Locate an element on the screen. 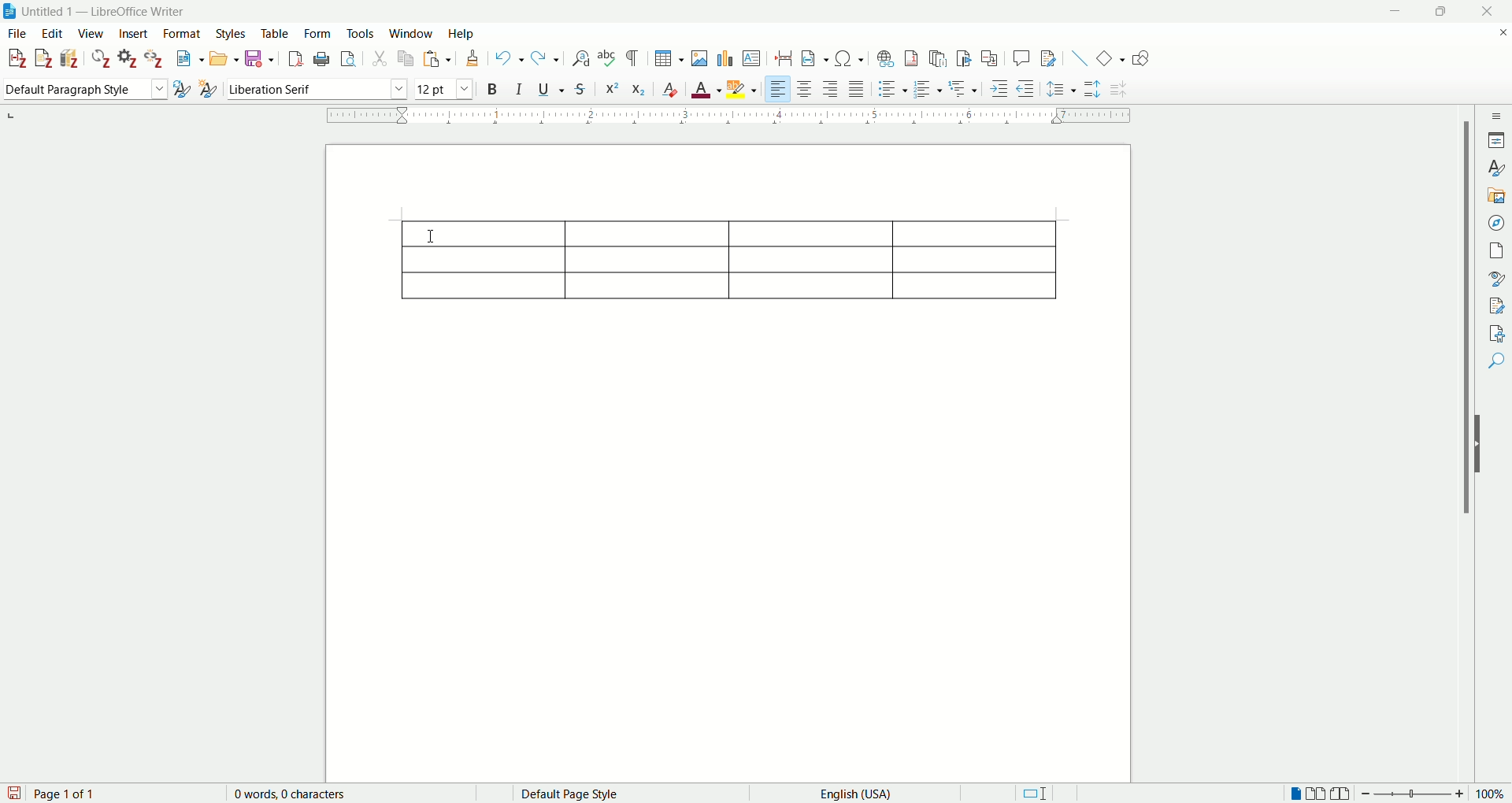 This screenshot has width=1512, height=803. format is located at coordinates (181, 35).